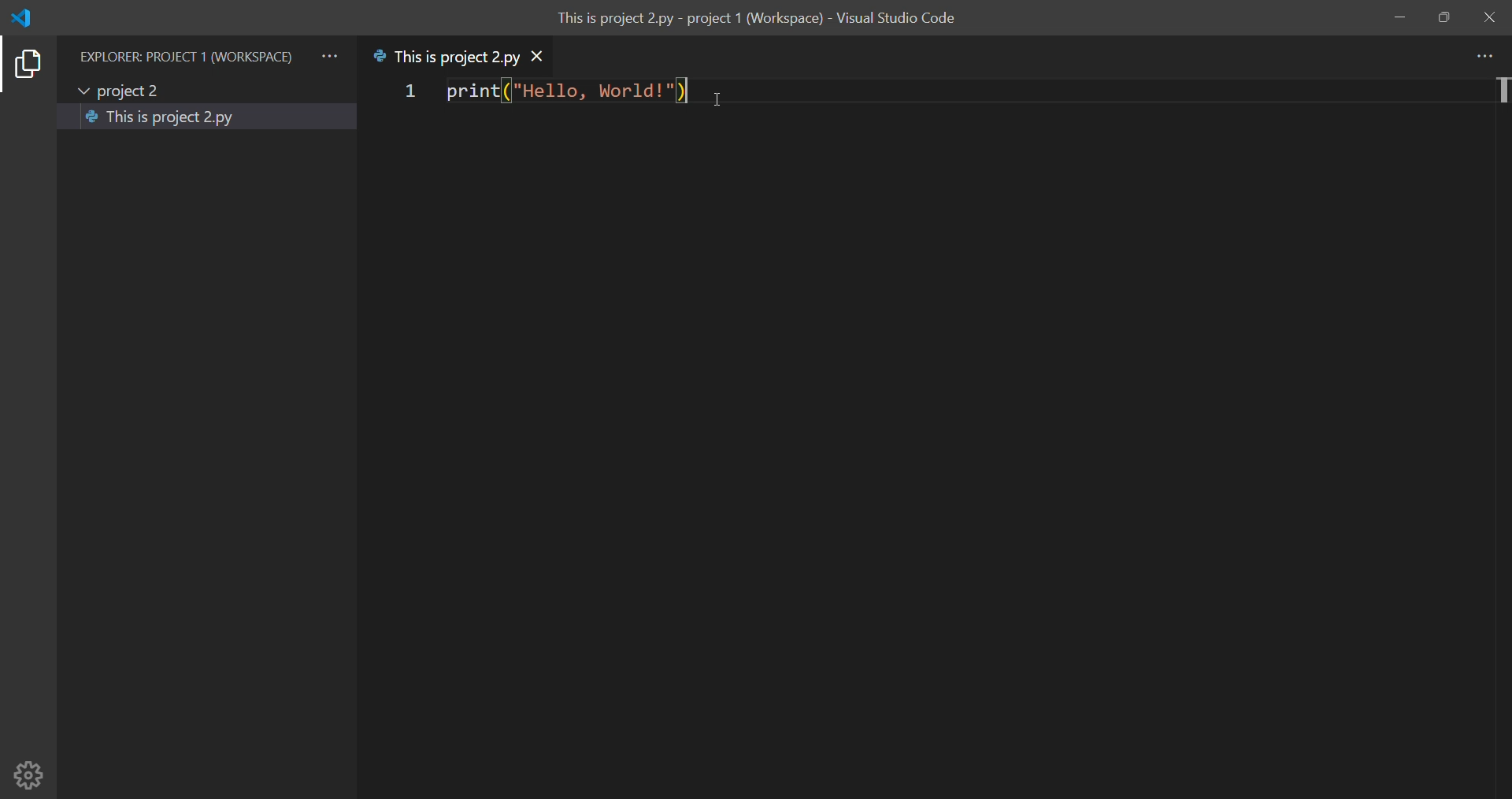 The height and width of the screenshot is (799, 1512). What do you see at coordinates (167, 118) in the screenshot?
I see `This is project 2.py` at bounding box center [167, 118].